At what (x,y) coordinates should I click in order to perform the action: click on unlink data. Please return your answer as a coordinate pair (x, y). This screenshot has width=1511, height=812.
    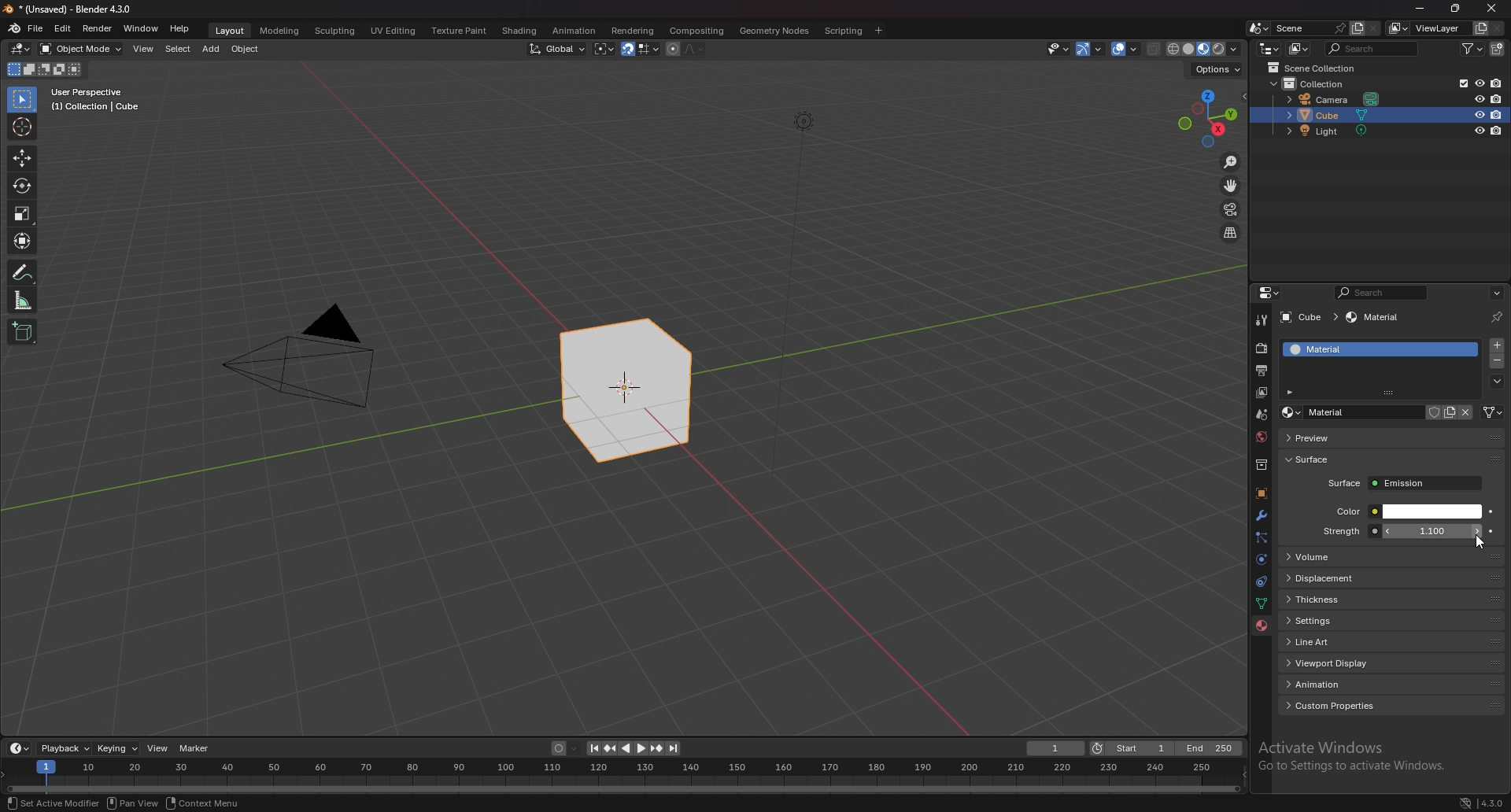
    Looking at the image, I should click on (1466, 412).